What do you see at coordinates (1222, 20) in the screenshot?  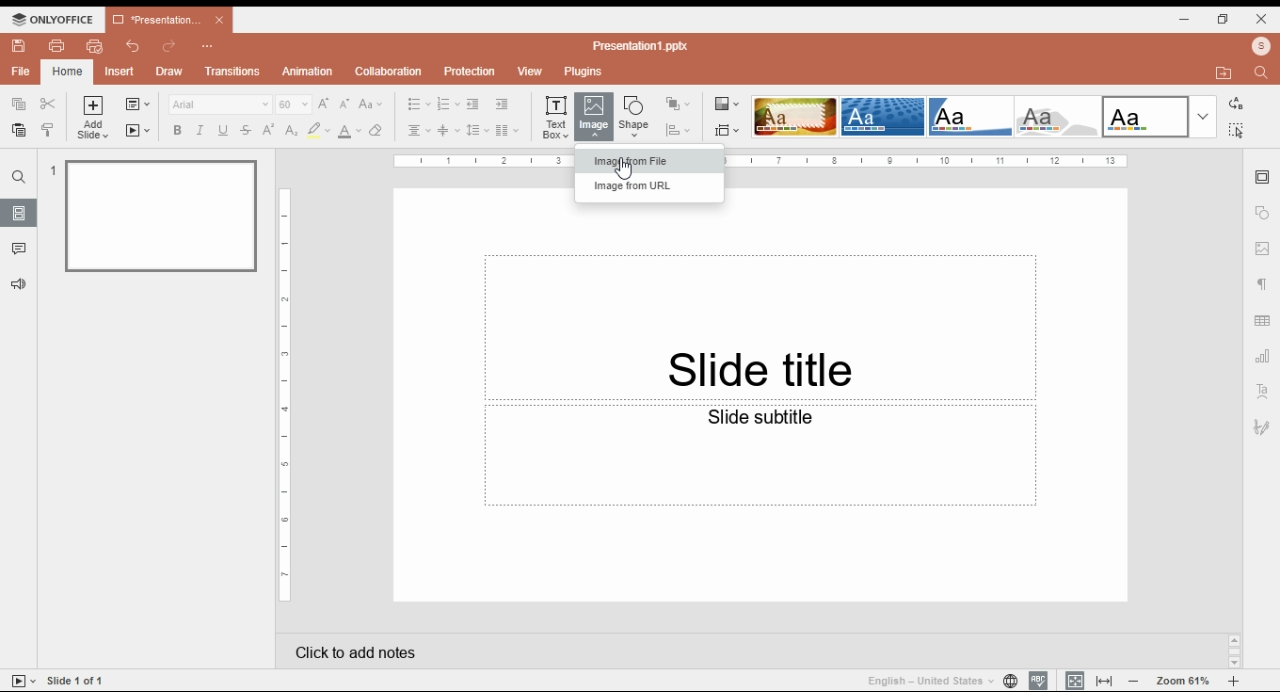 I see `restore` at bounding box center [1222, 20].